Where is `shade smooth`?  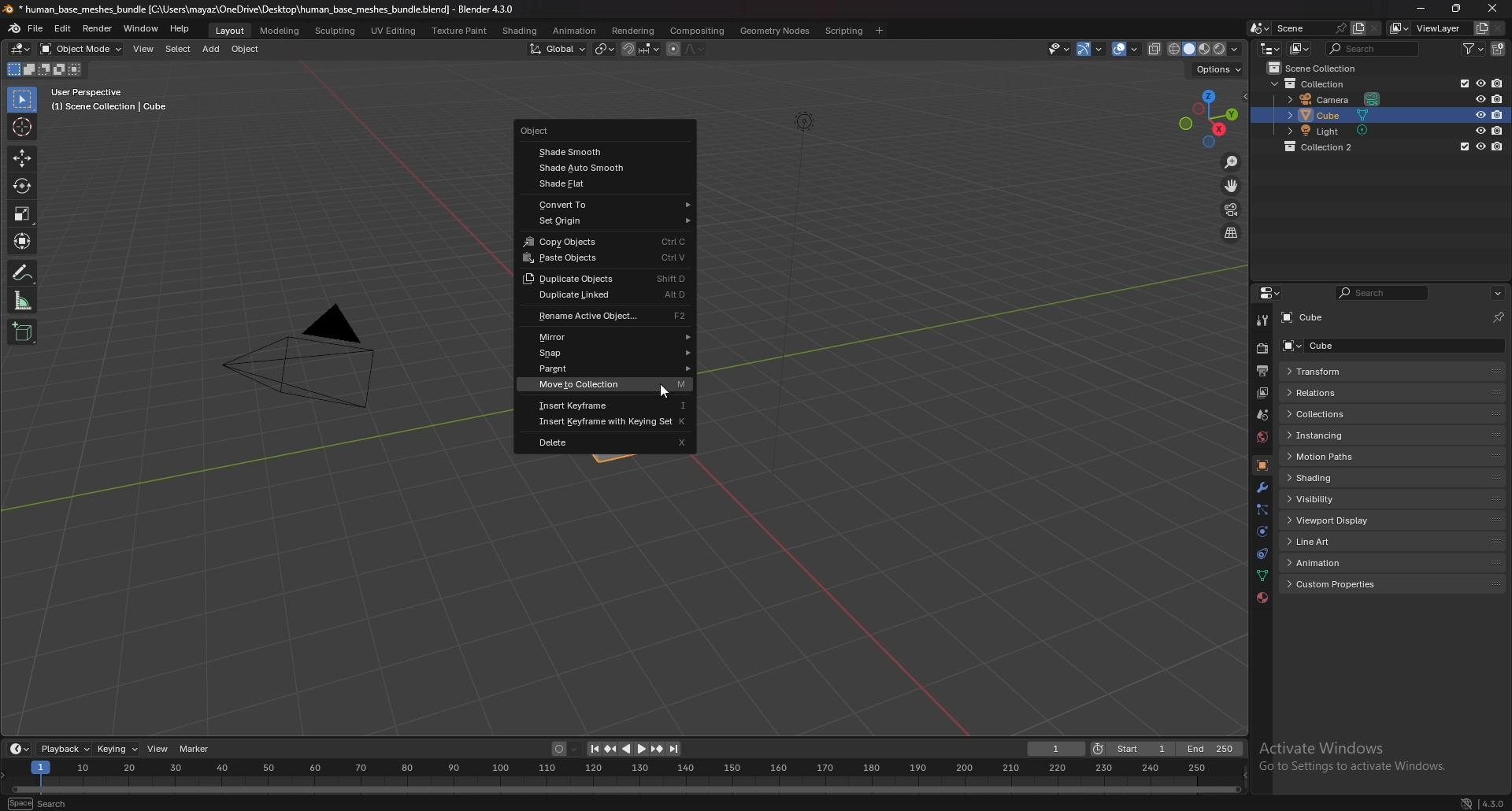
shade smooth is located at coordinates (600, 153).